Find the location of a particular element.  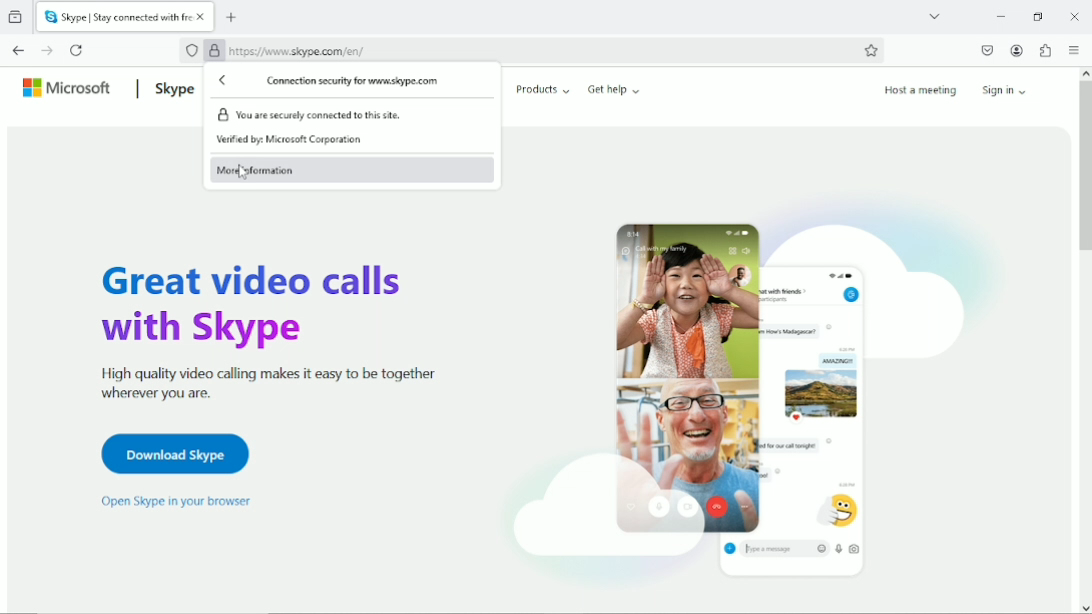

Videocall/chat is located at coordinates (745, 387).